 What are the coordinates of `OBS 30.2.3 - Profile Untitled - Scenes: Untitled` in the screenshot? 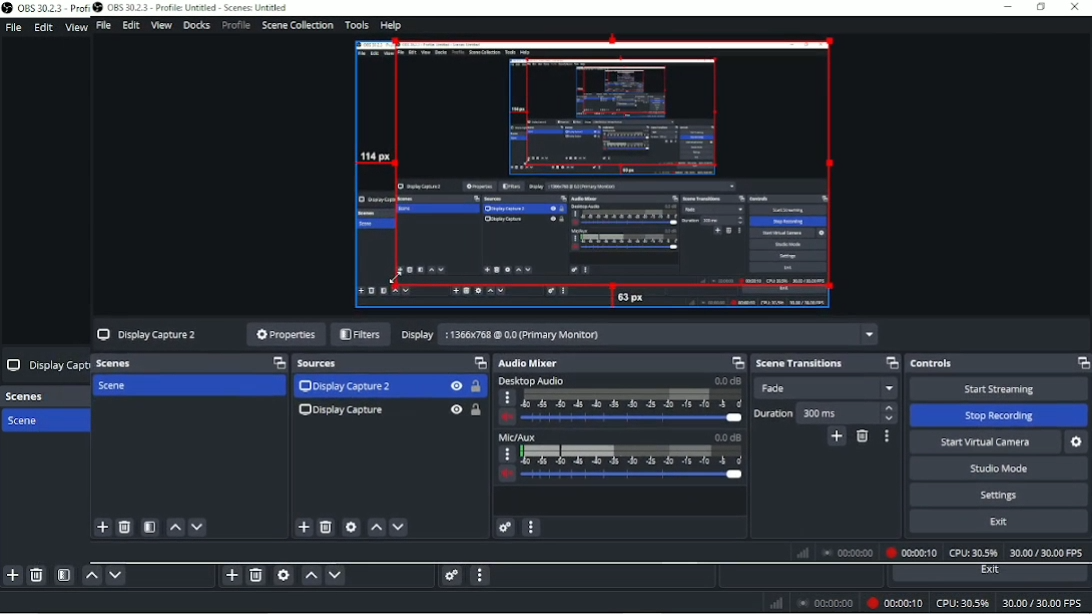 It's located at (190, 8).